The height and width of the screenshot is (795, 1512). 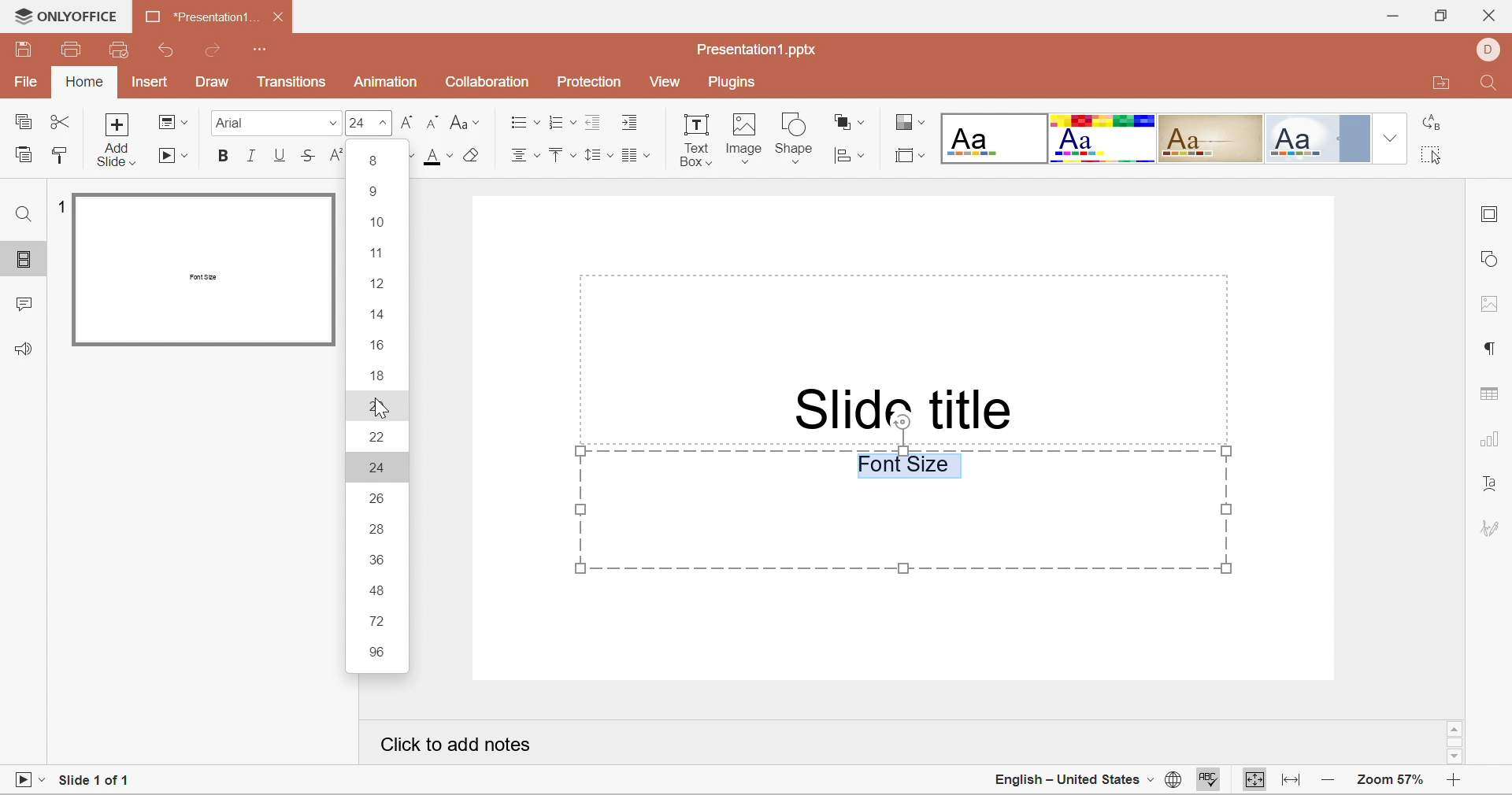 I want to click on Drop Down, so click(x=385, y=125).